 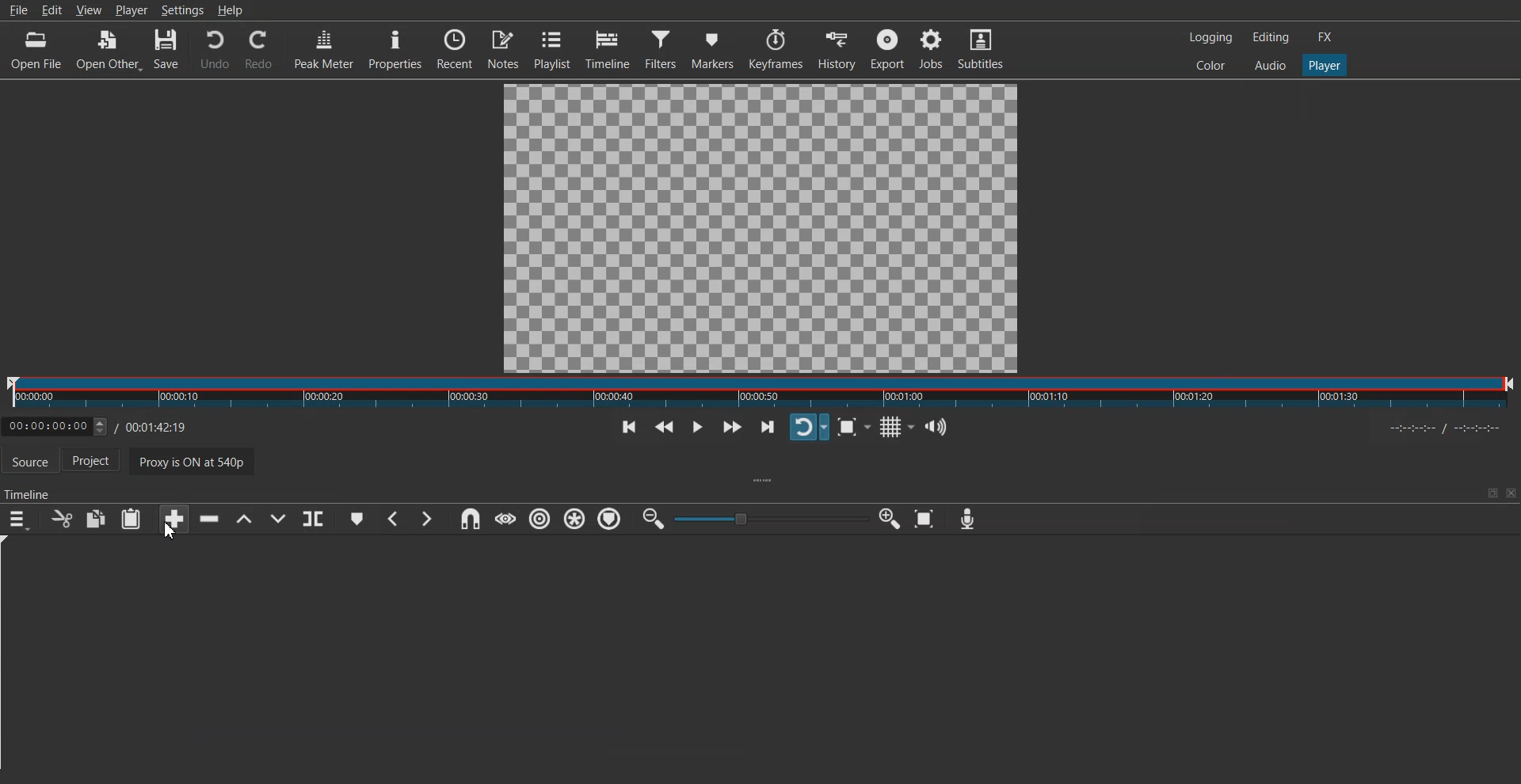 What do you see at coordinates (764, 226) in the screenshot?
I see `File Preview window` at bounding box center [764, 226].